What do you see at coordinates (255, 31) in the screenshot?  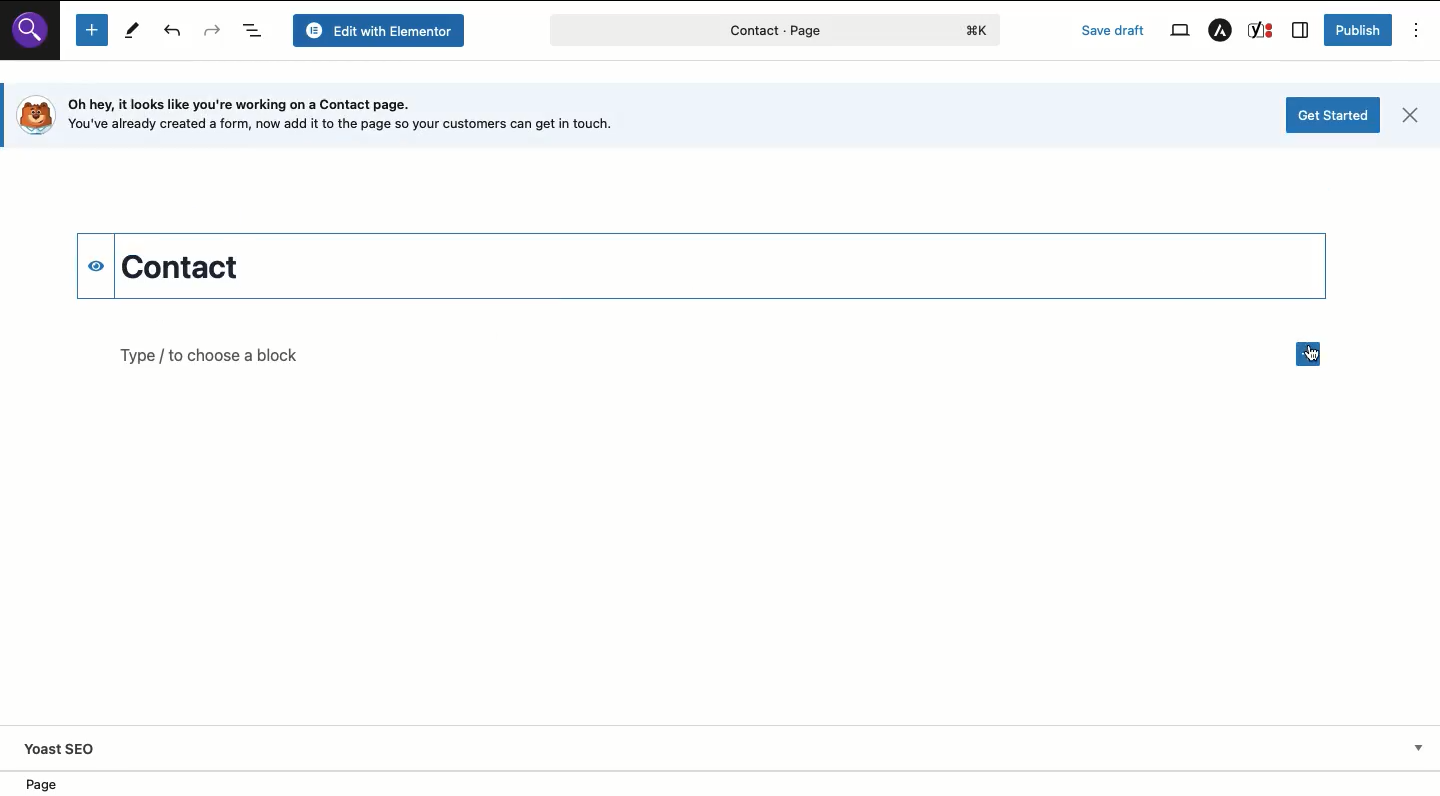 I see `Document overview` at bounding box center [255, 31].